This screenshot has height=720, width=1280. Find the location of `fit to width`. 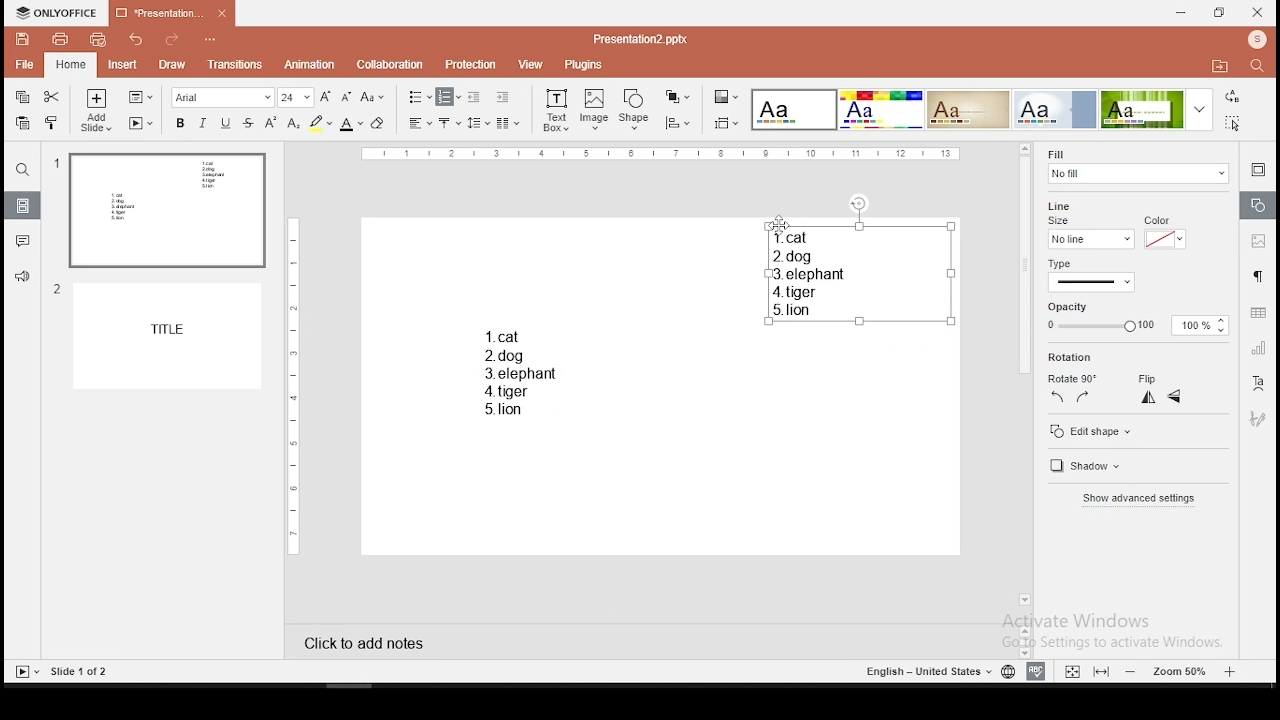

fit to width is located at coordinates (1102, 672).